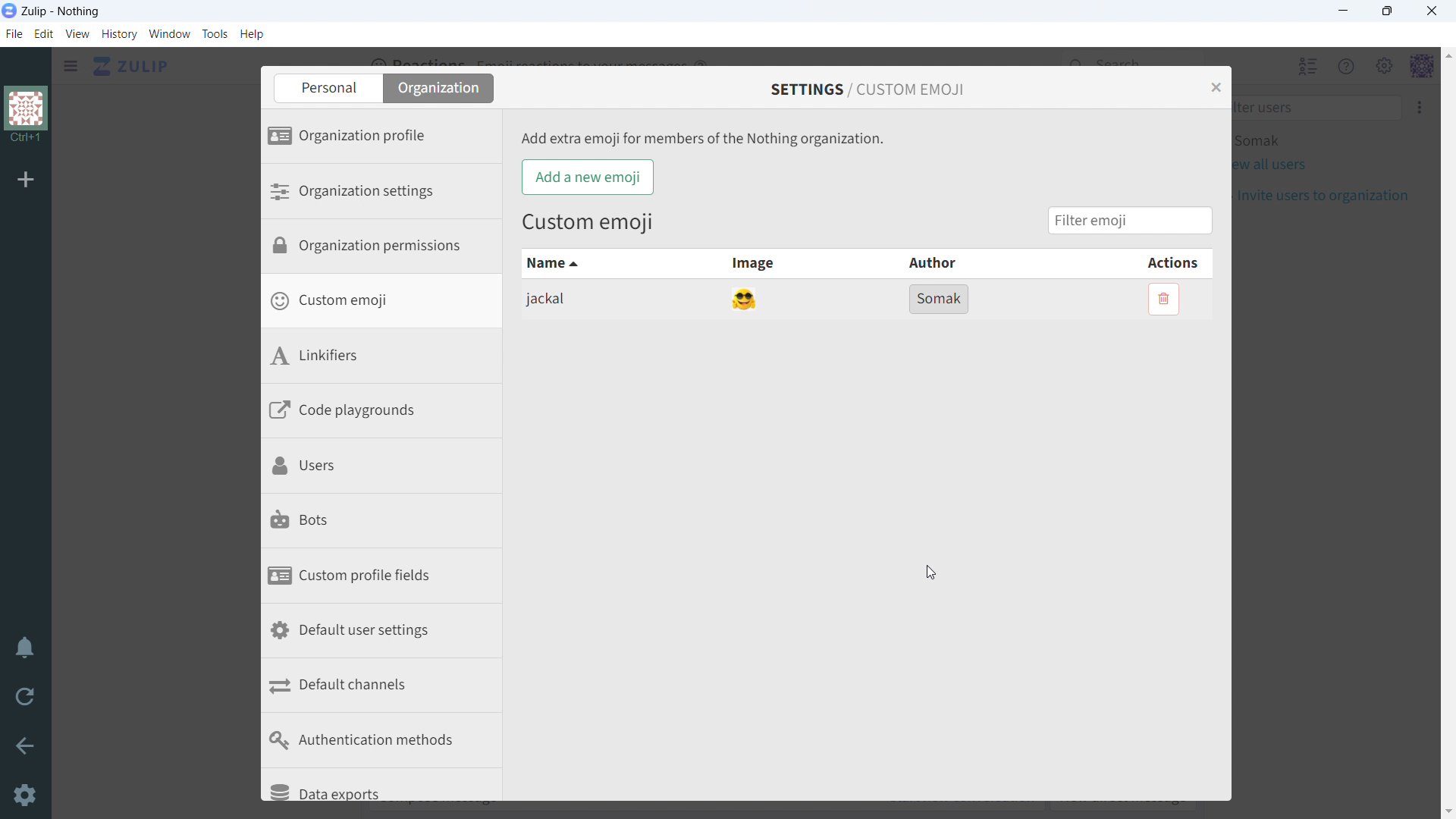 The width and height of the screenshot is (1456, 819). I want to click on organization profile, so click(388, 137).